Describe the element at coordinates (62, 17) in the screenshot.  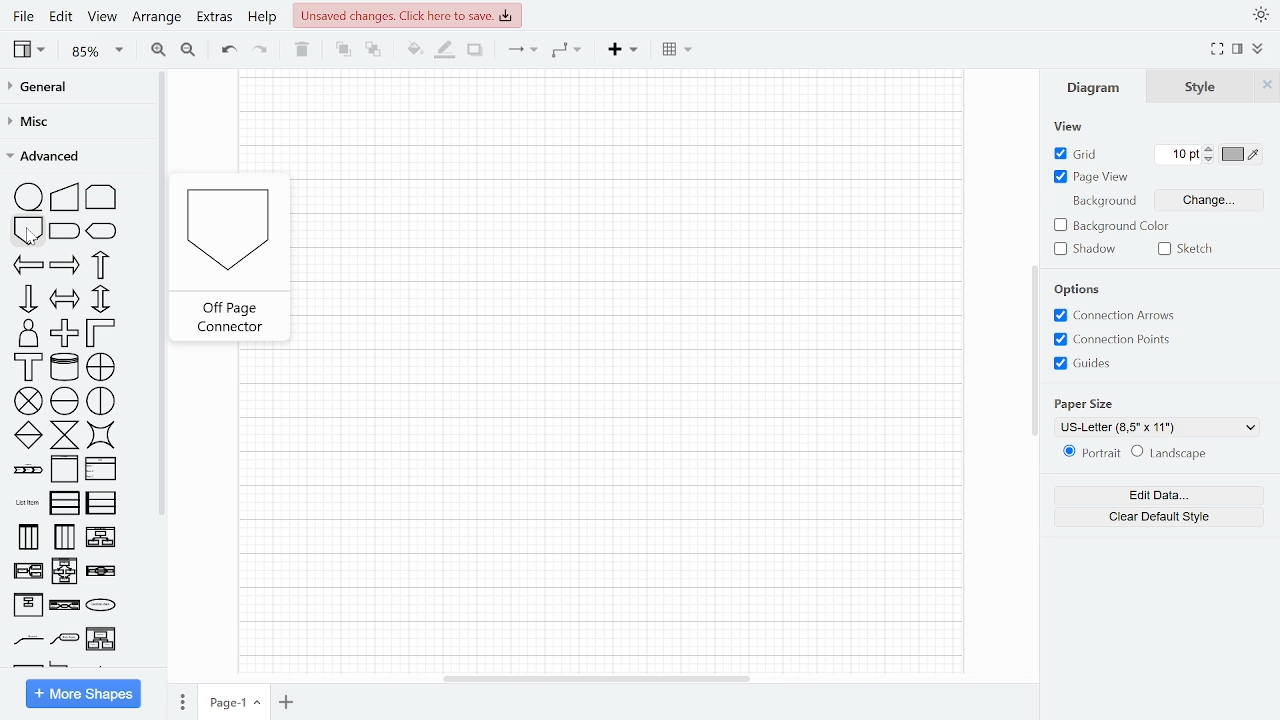
I see `Edit` at that location.